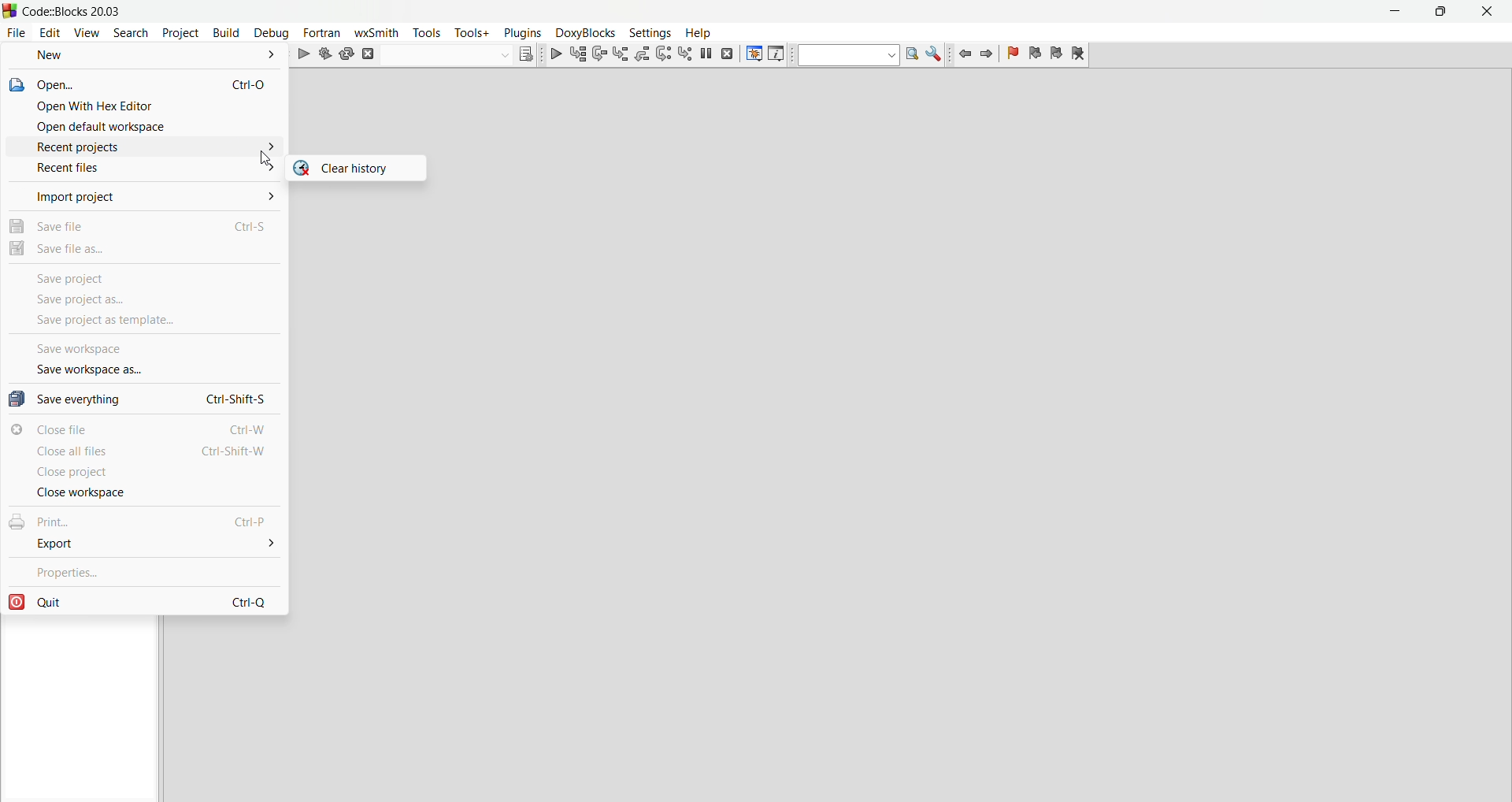  Describe the element at coordinates (447, 56) in the screenshot. I see `build target` at that location.